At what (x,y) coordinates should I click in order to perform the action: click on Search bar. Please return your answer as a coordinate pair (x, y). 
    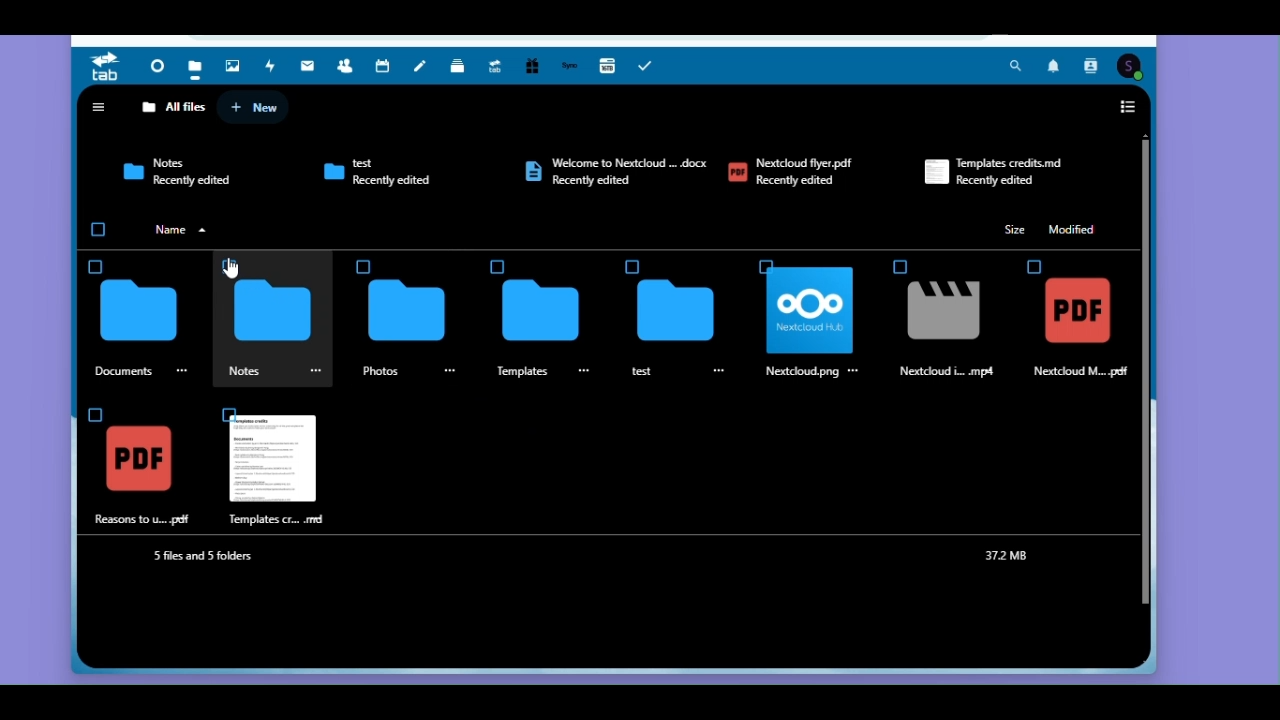
    Looking at the image, I should click on (1016, 68).